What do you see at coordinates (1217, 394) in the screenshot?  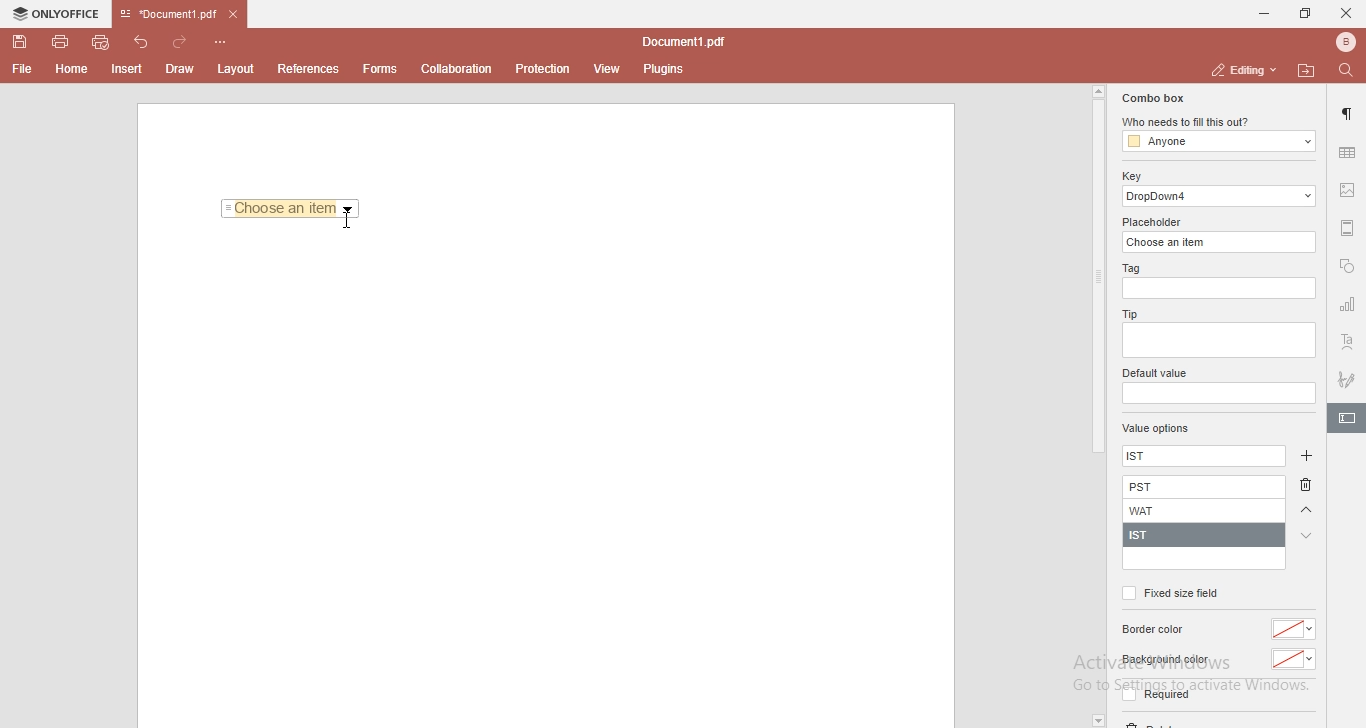 I see `empty box` at bounding box center [1217, 394].